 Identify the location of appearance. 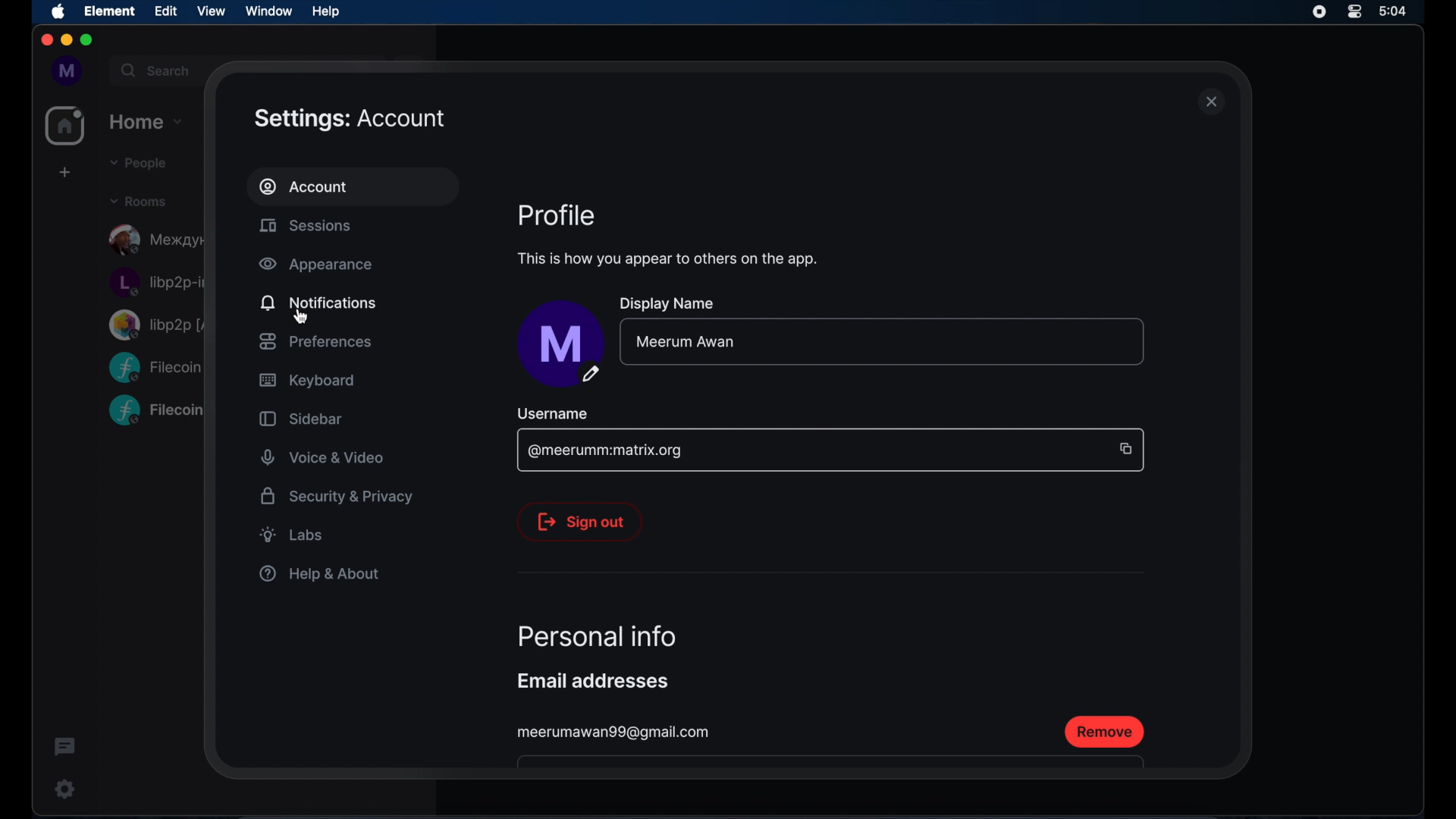
(315, 265).